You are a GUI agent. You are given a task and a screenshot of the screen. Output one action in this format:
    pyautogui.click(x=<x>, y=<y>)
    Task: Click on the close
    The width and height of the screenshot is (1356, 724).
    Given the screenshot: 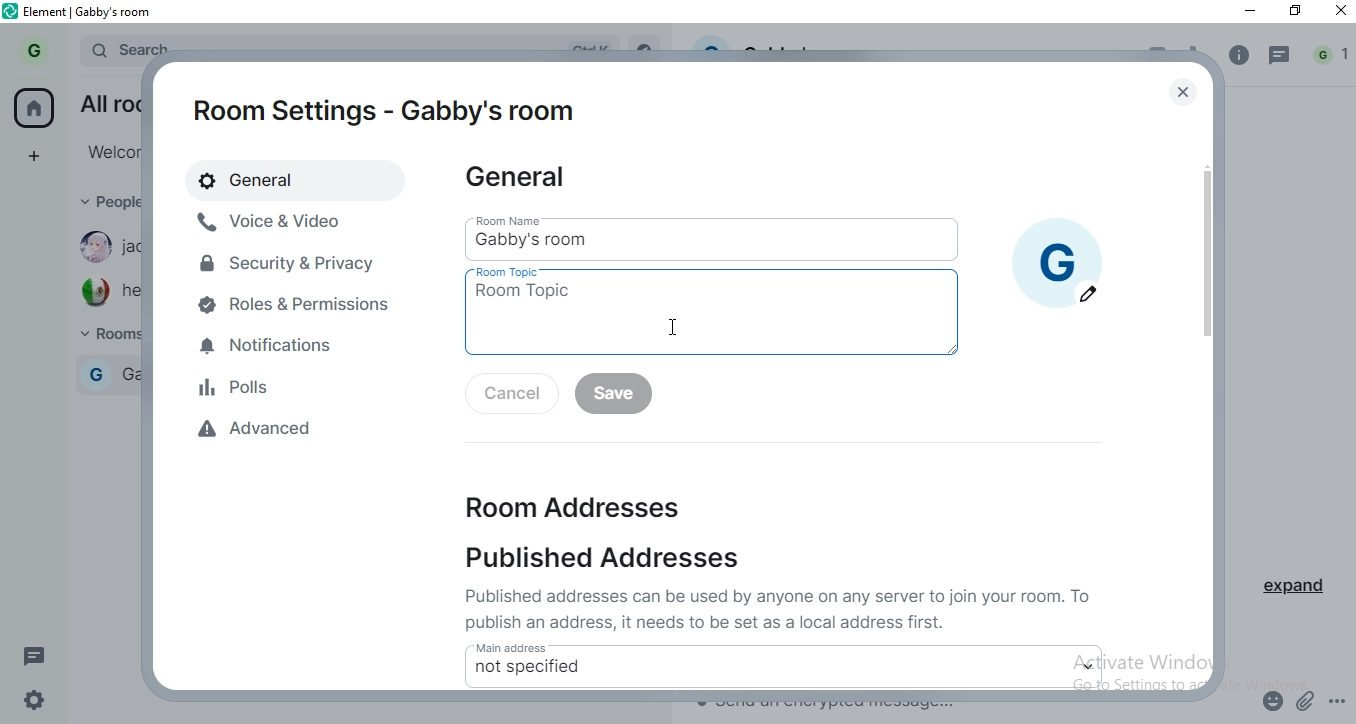 What is the action you would take?
    pyautogui.click(x=1337, y=15)
    